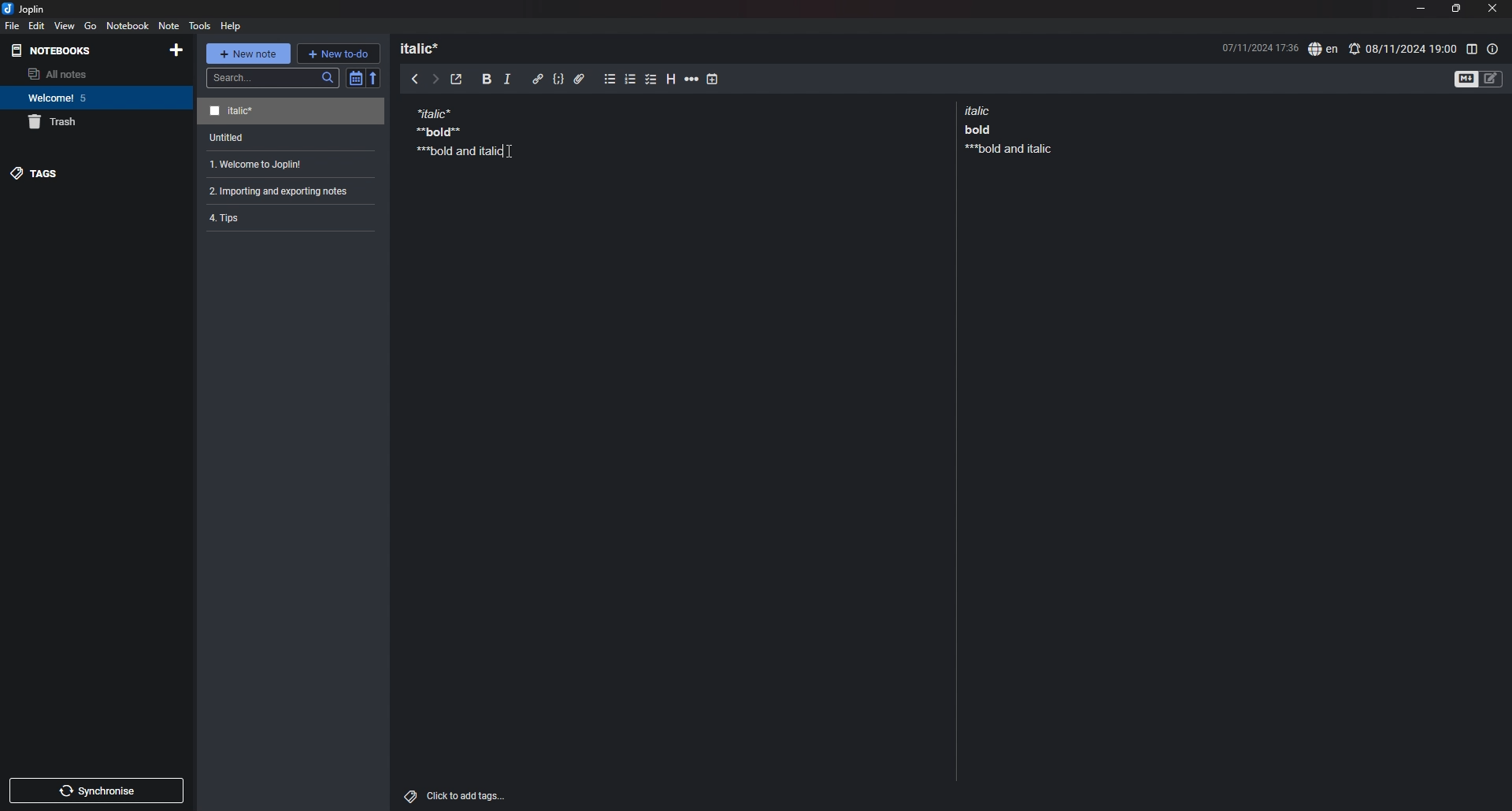 The image size is (1512, 811). I want to click on horizontal rule, so click(691, 81).